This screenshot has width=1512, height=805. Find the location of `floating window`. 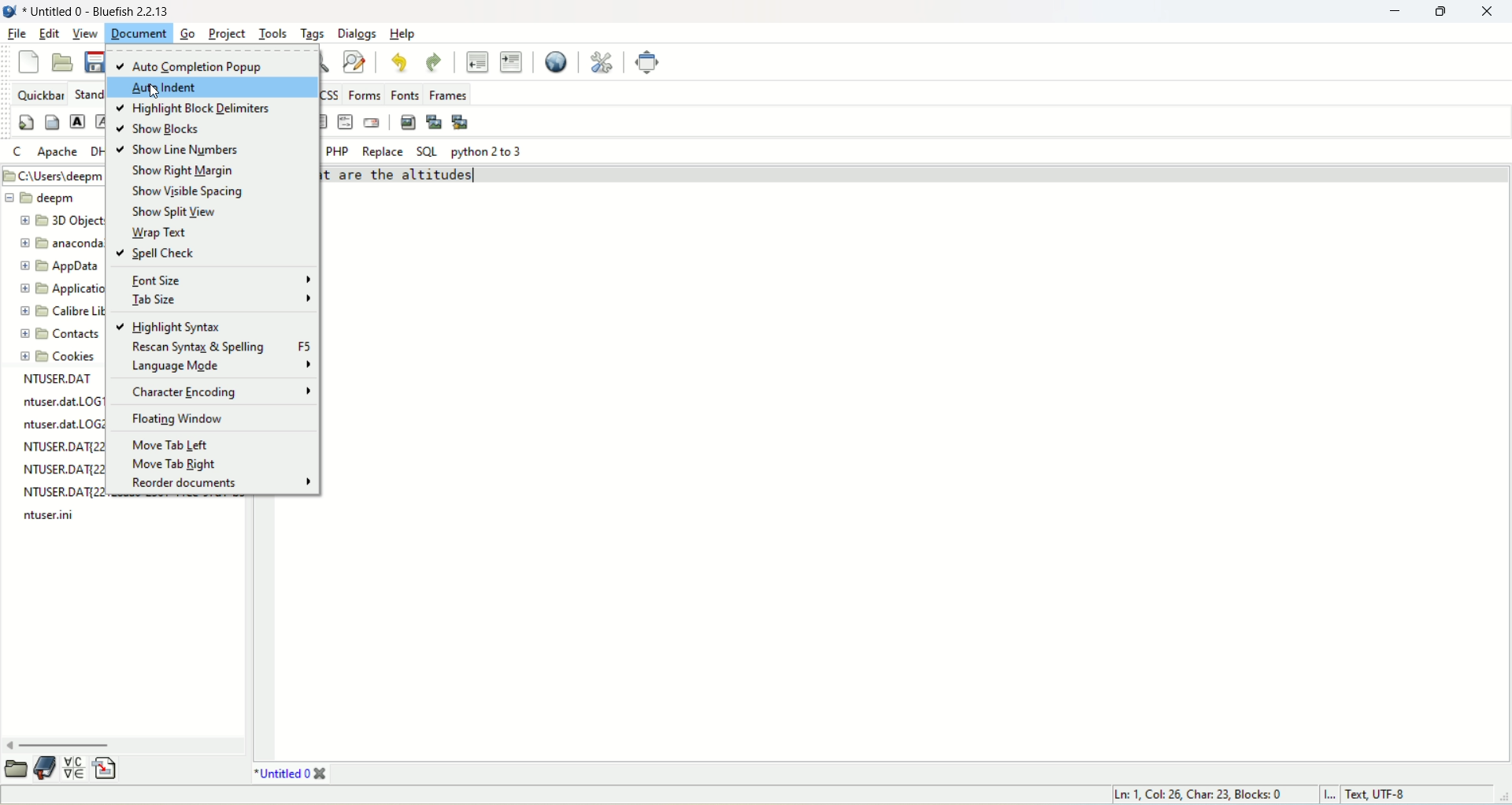

floating window is located at coordinates (179, 418).